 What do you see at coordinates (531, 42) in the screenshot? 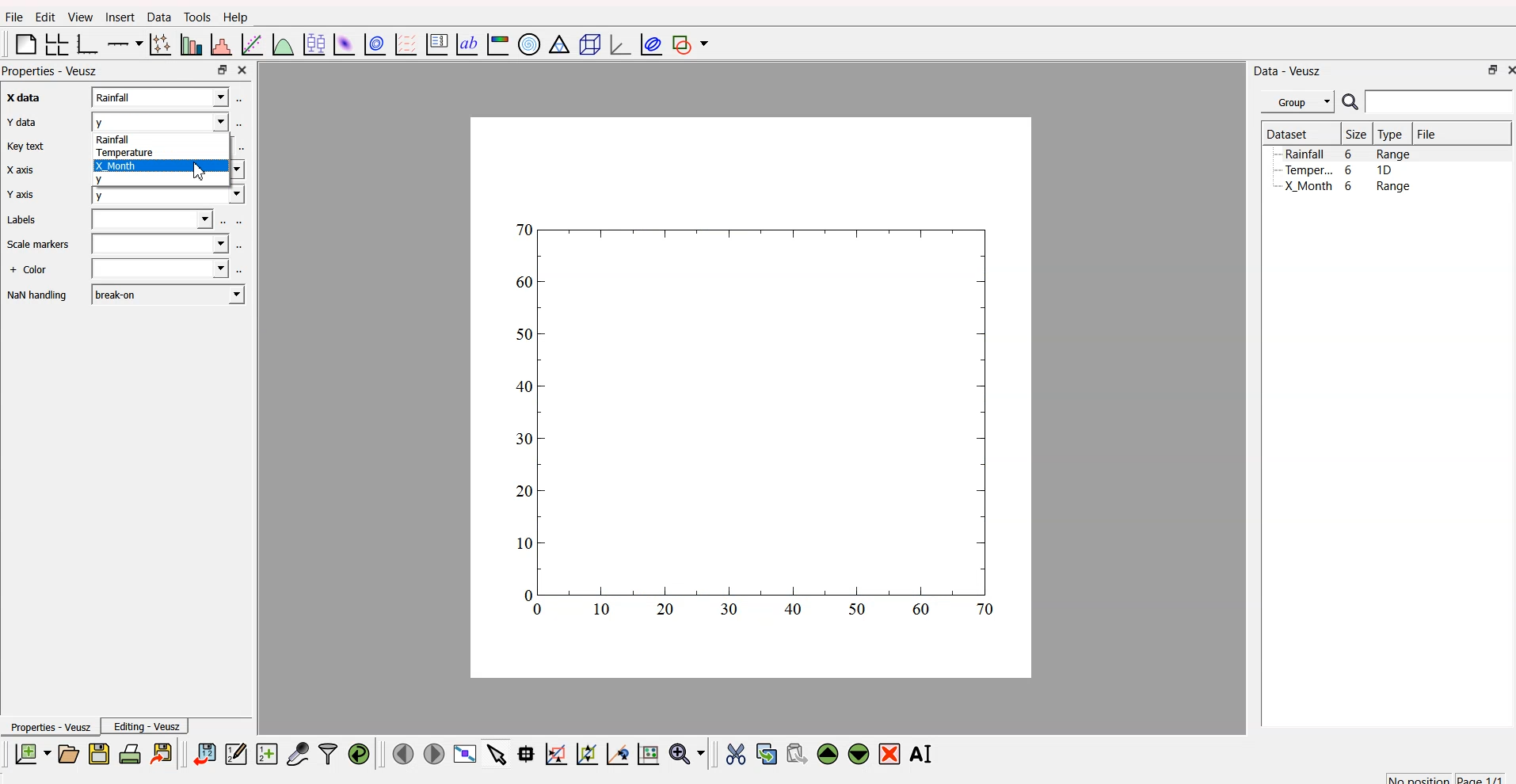
I see `polar graph` at bounding box center [531, 42].